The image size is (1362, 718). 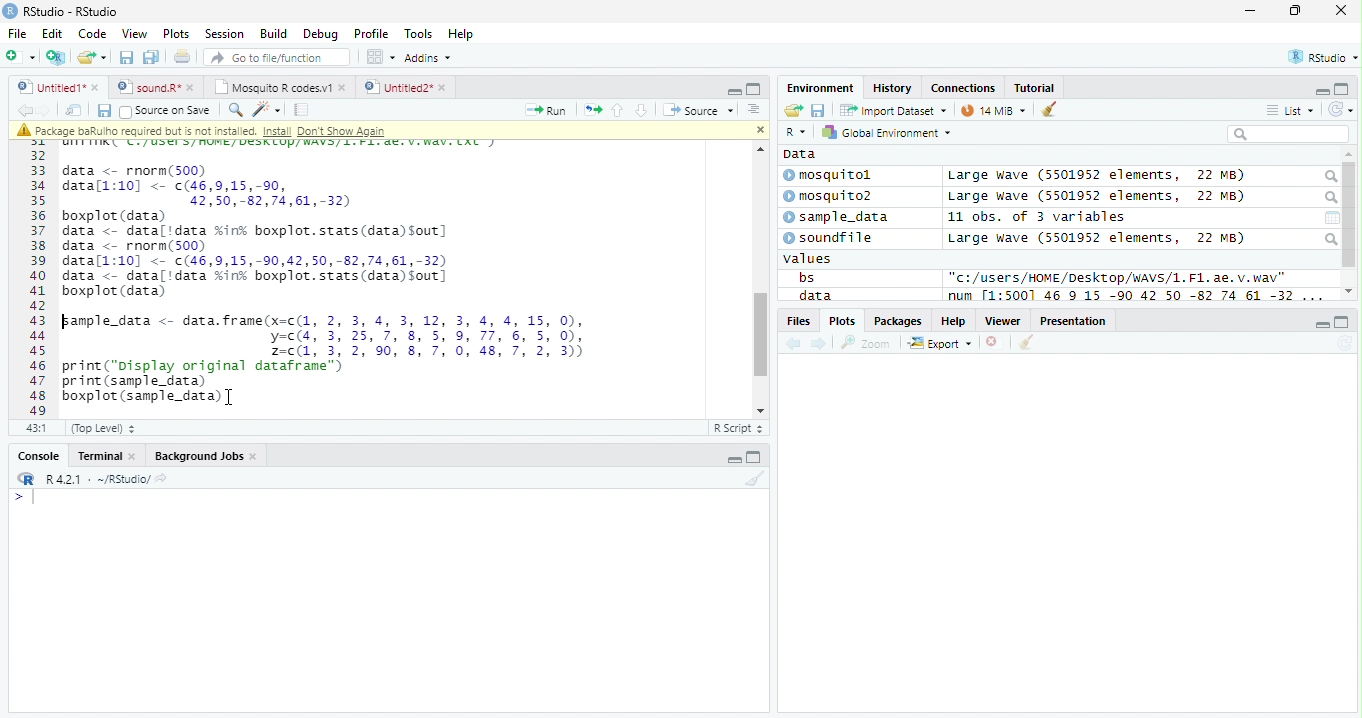 I want to click on Source, so click(x=700, y=109).